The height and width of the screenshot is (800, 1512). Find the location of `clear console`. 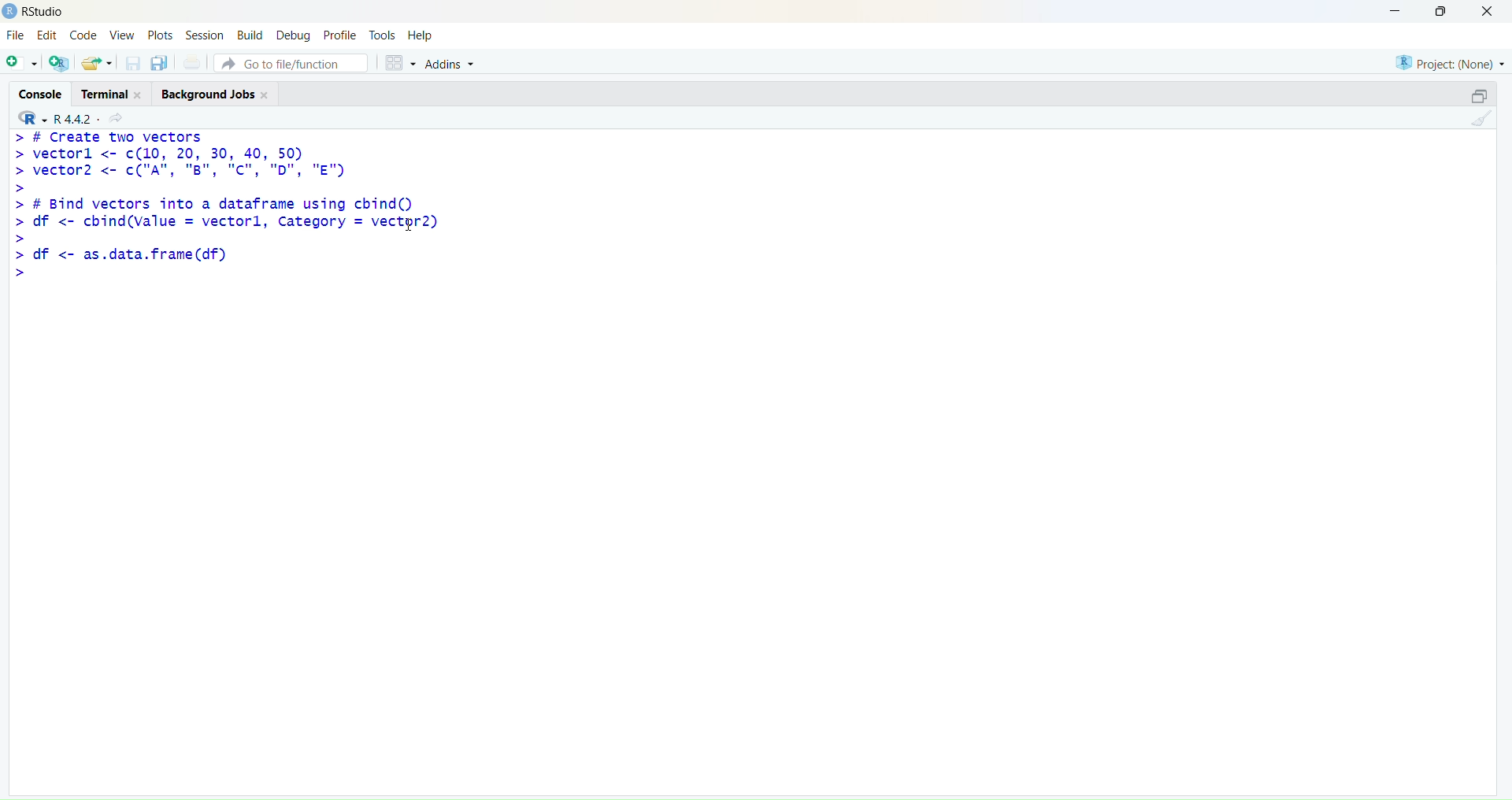

clear console is located at coordinates (1481, 119).